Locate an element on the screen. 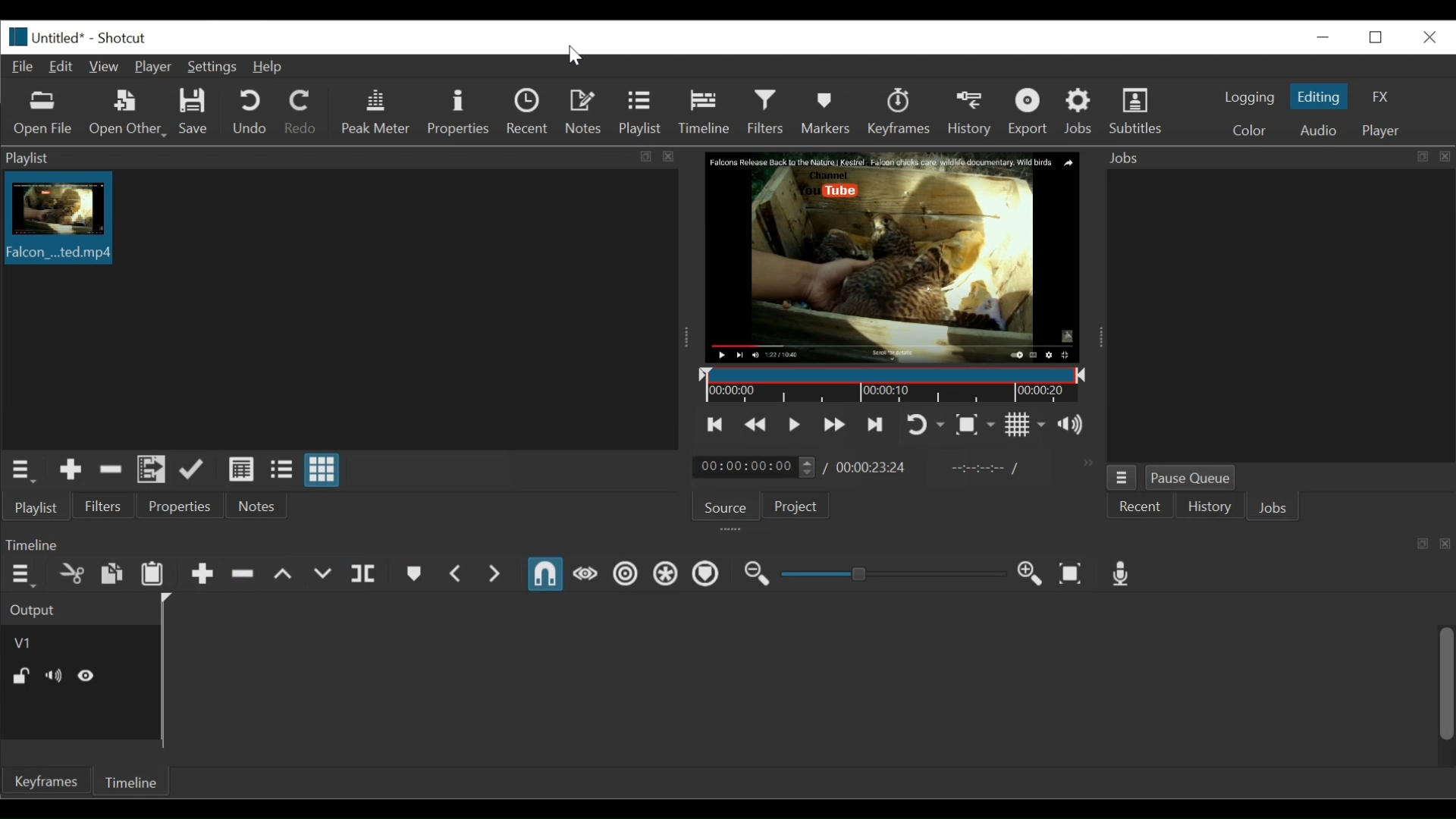 The image size is (1456, 819). Vertical scroll bar is located at coordinates (1445, 683).